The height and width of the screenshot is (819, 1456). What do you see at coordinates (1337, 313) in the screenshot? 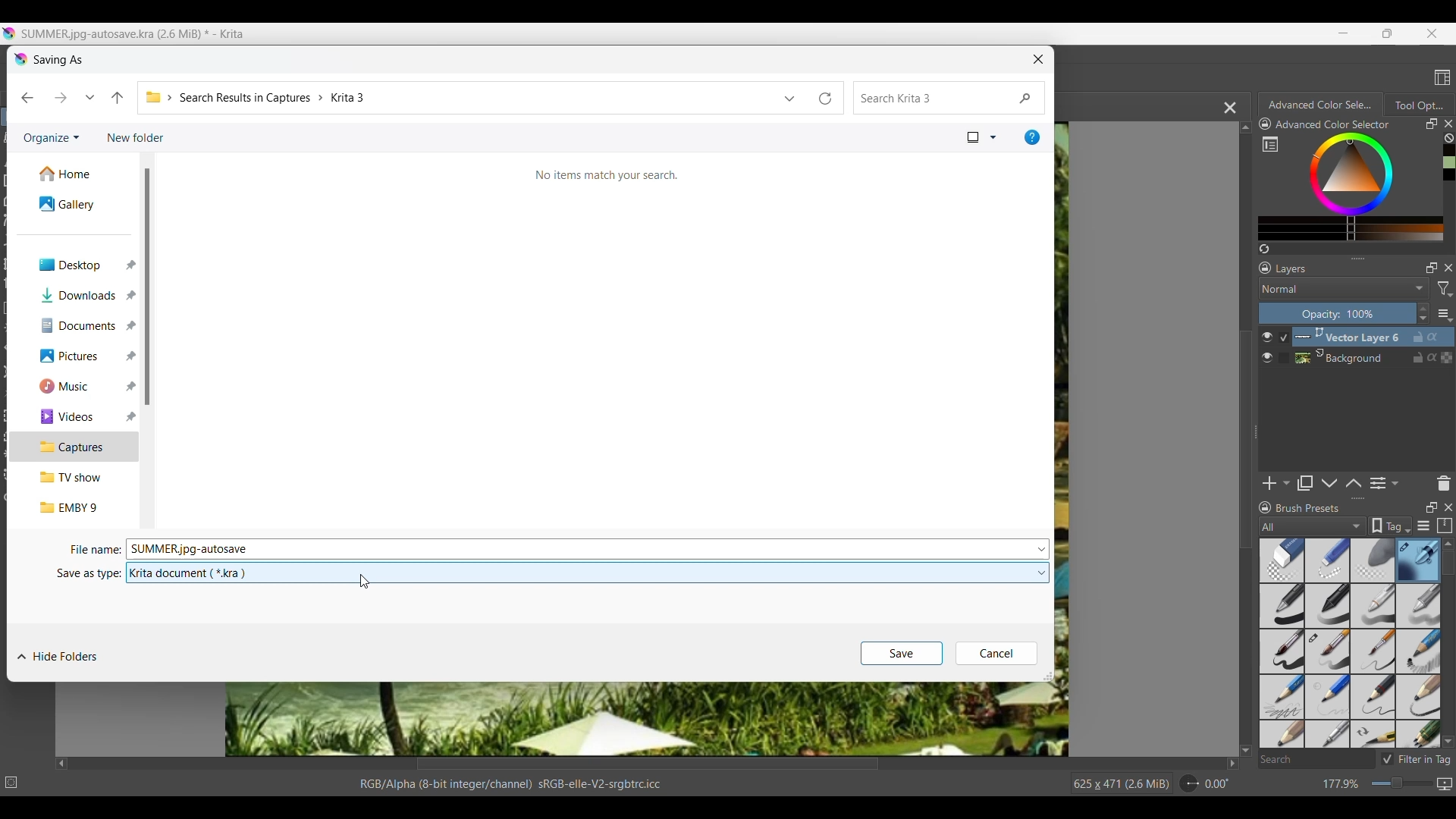
I see `Change percentage of opacity` at bounding box center [1337, 313].